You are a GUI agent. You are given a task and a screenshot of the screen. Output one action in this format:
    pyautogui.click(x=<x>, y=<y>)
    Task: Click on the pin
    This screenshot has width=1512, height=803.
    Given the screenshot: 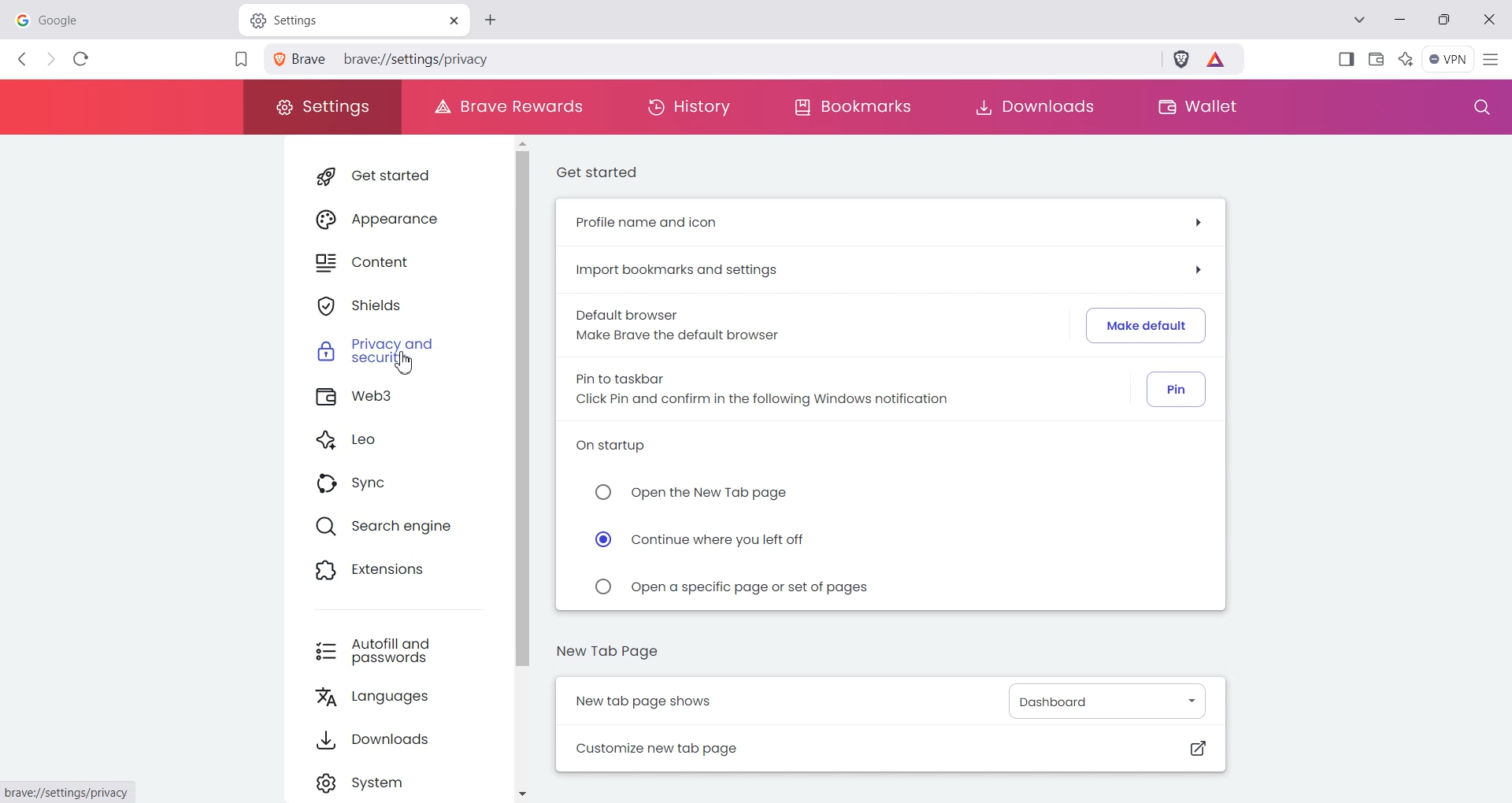 What is the action you would take?
    pyautogui.click(x=1176, y=389)
    